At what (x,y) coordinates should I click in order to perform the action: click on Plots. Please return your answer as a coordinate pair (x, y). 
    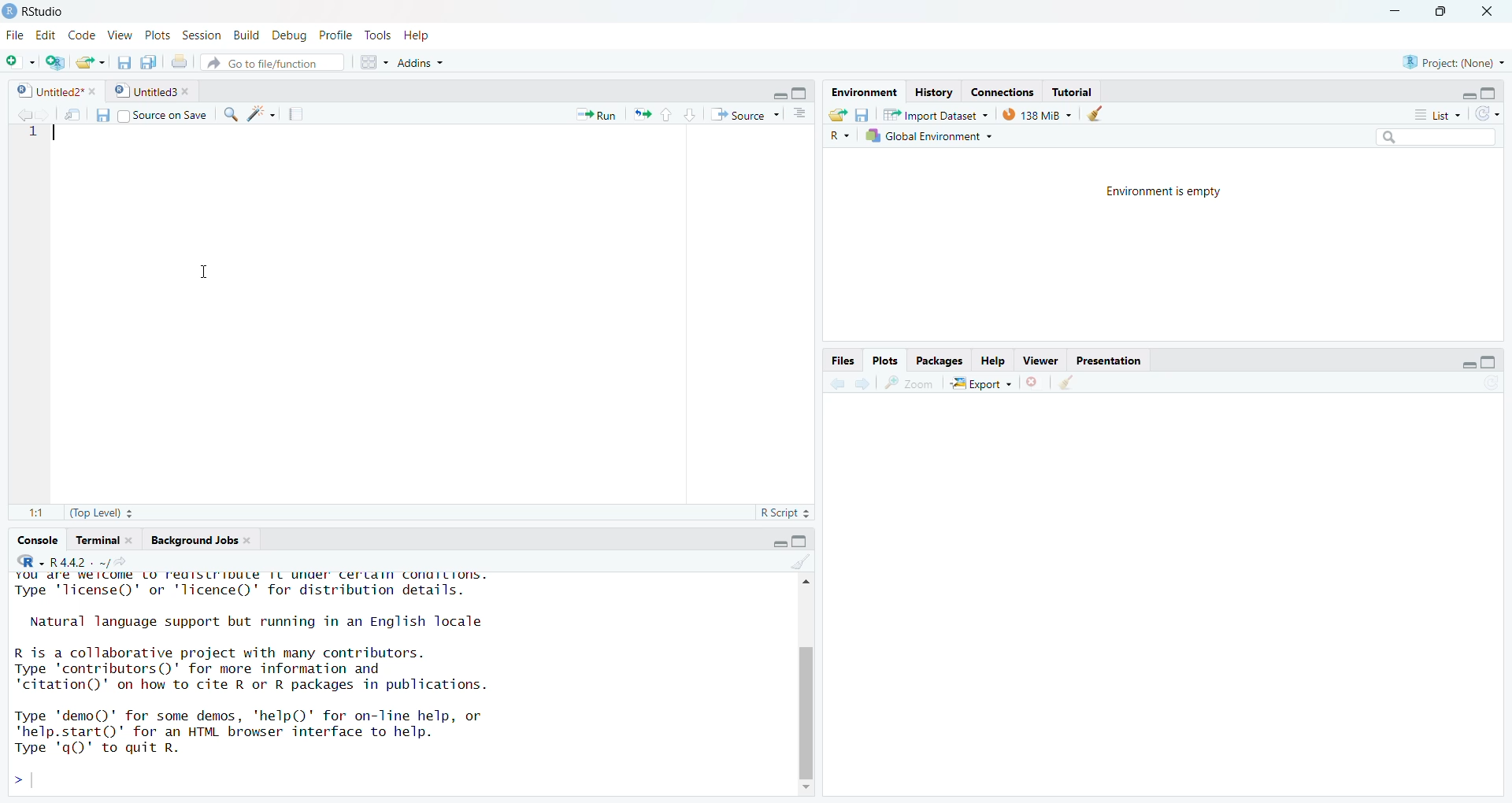
    Looking at the image, I should click on (886, 358).